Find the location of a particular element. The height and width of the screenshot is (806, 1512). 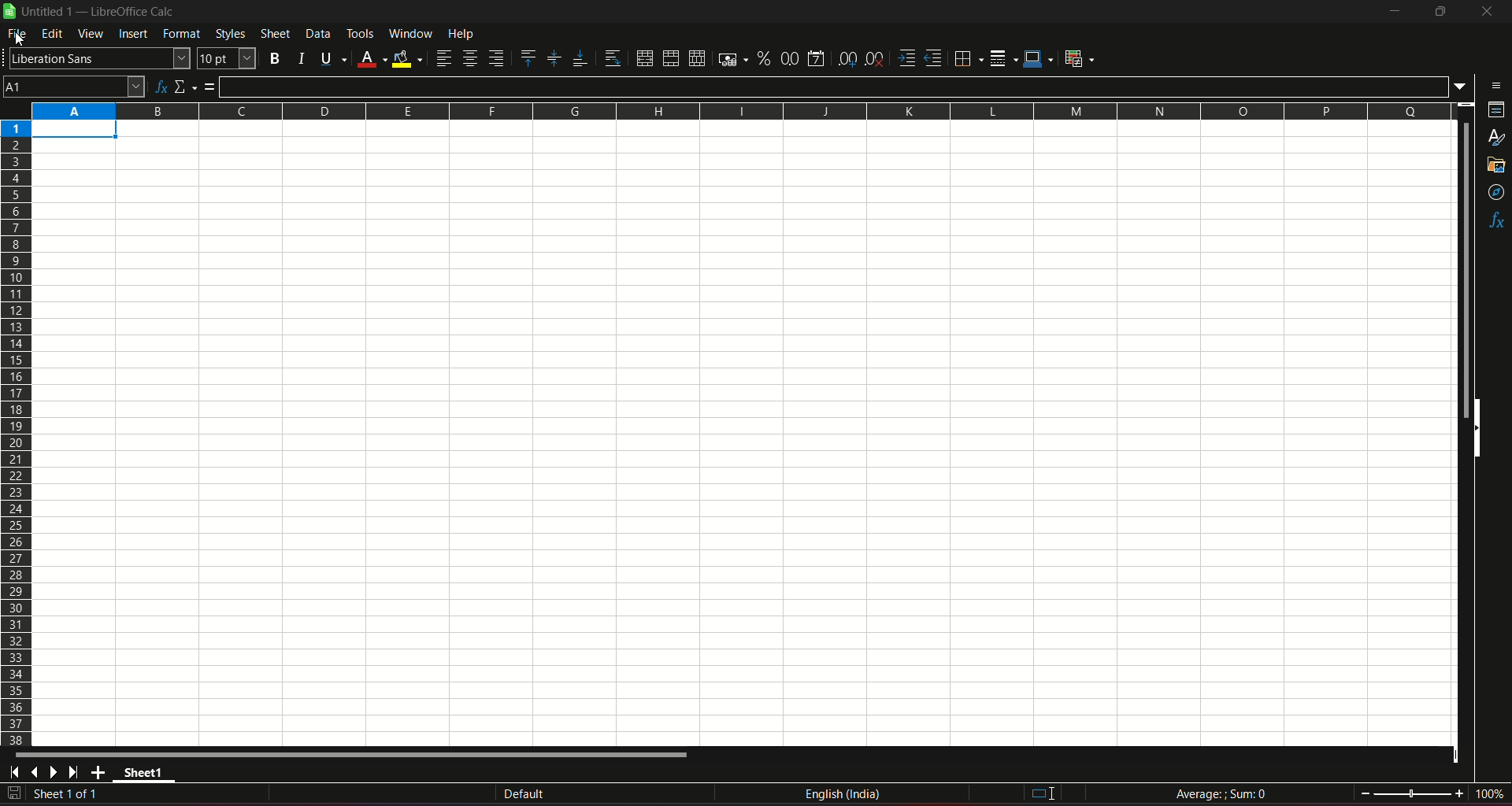

select function is located at coordinates (186, 85).